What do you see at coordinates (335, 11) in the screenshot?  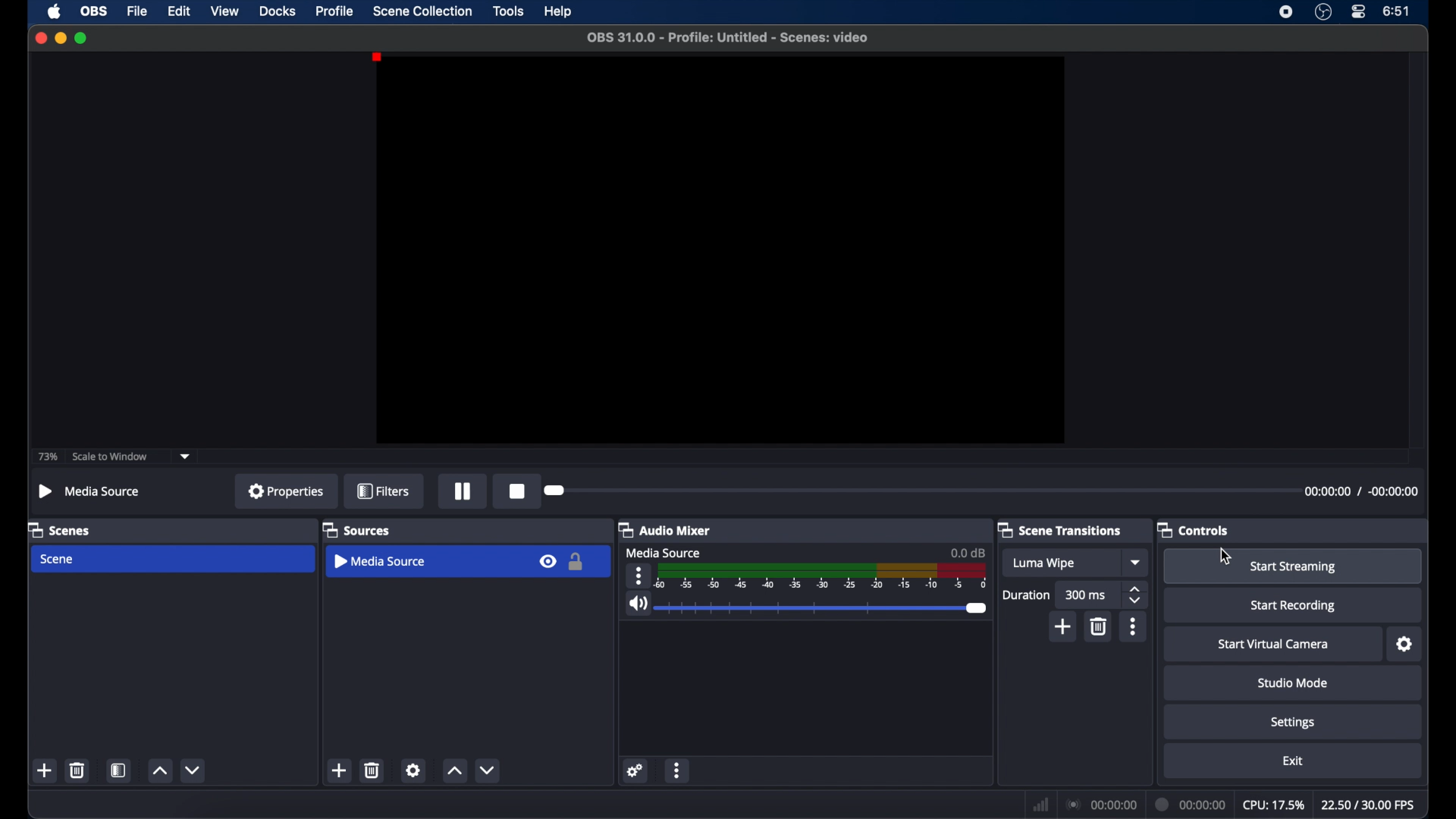 I see `profile` at bounding box center [335, 11].